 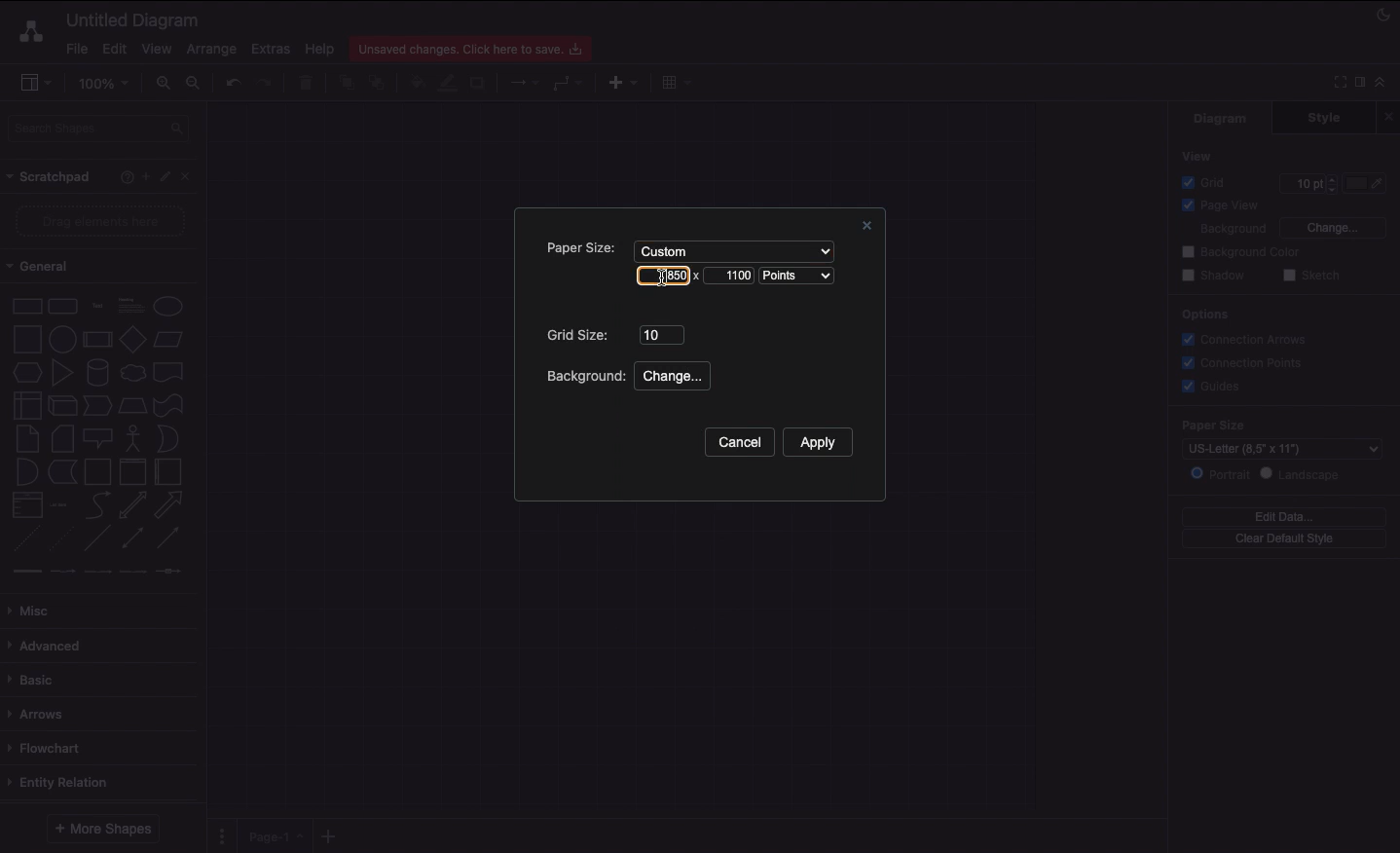 What do you see at coordinates (729, 276) in the screenshot?
I see `Landscape` at bounding box center [729, 276].